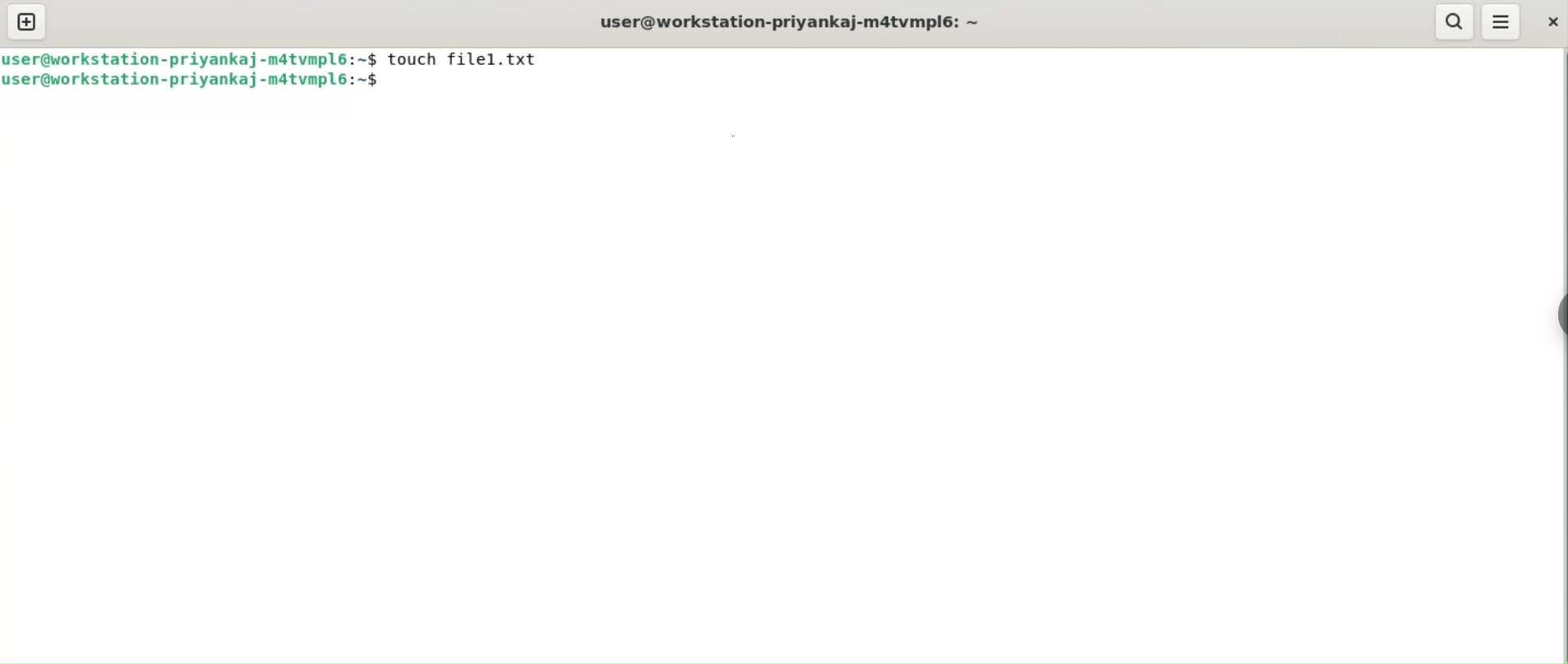  Describe the element at coordinates (1501, 21) in the screenshot. I see `menu` at that location.